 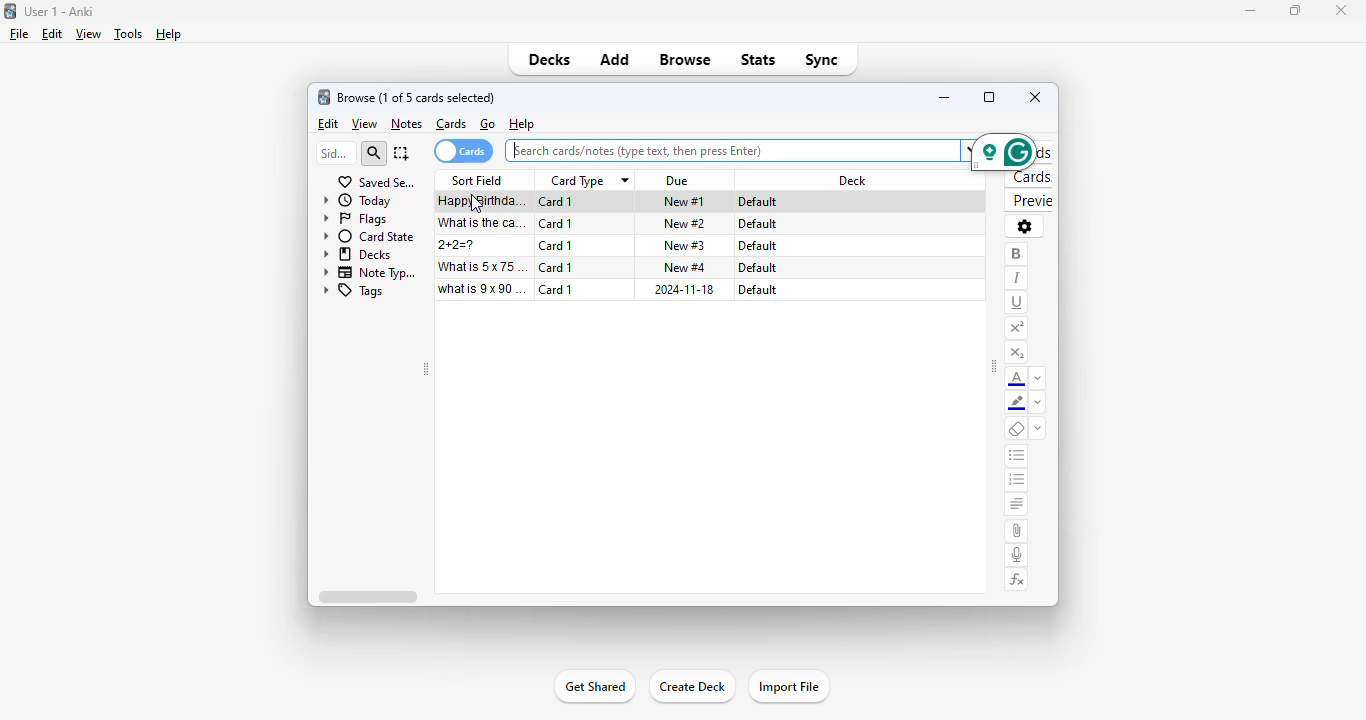 I want to click on options, so click(x=1024, y=226).